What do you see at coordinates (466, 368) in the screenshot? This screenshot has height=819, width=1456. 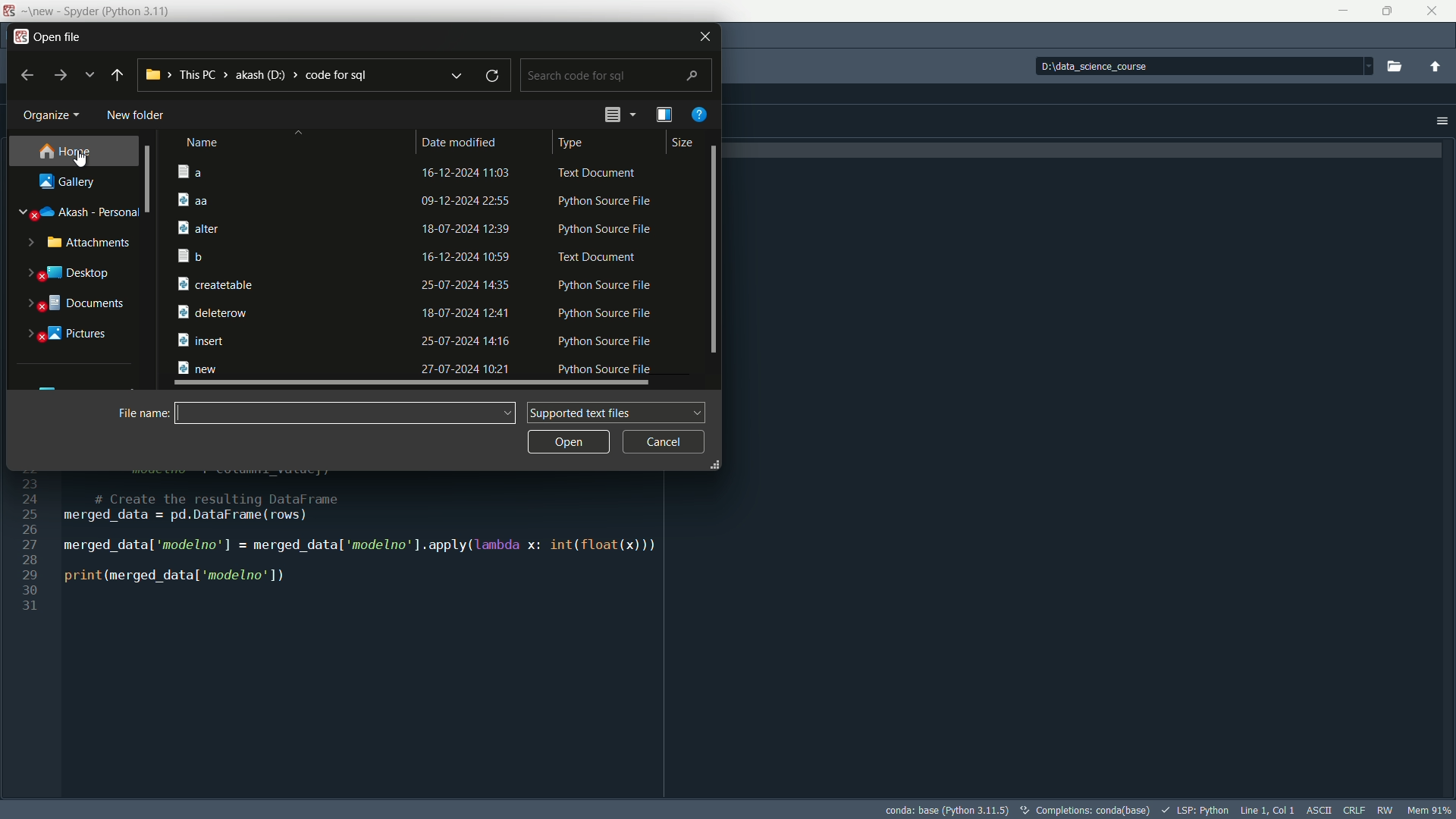 I see `timestamp` at bounding box center [466, 368].